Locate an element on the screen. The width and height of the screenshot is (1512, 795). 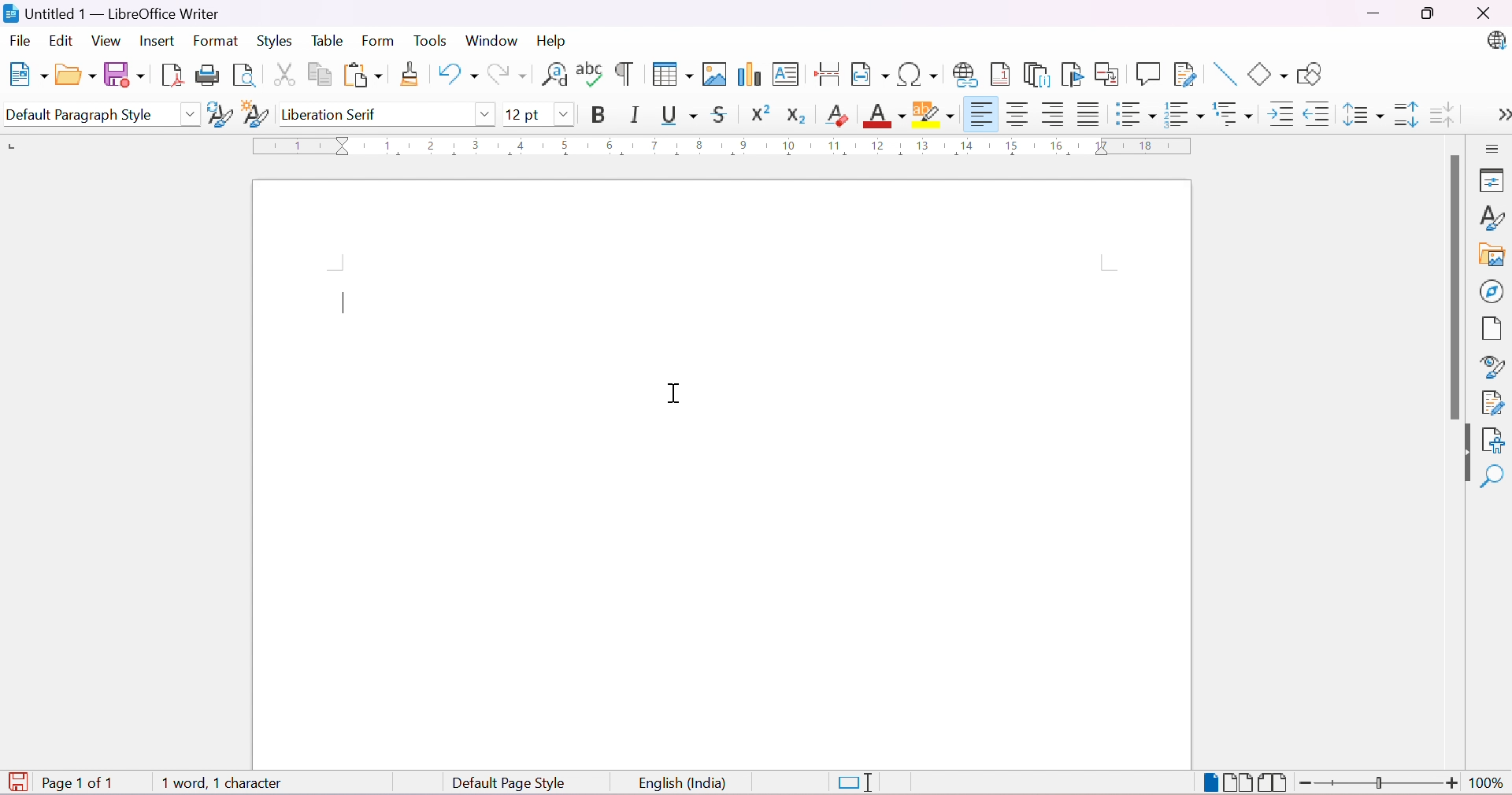
Save is located at coordinates (124, 74).